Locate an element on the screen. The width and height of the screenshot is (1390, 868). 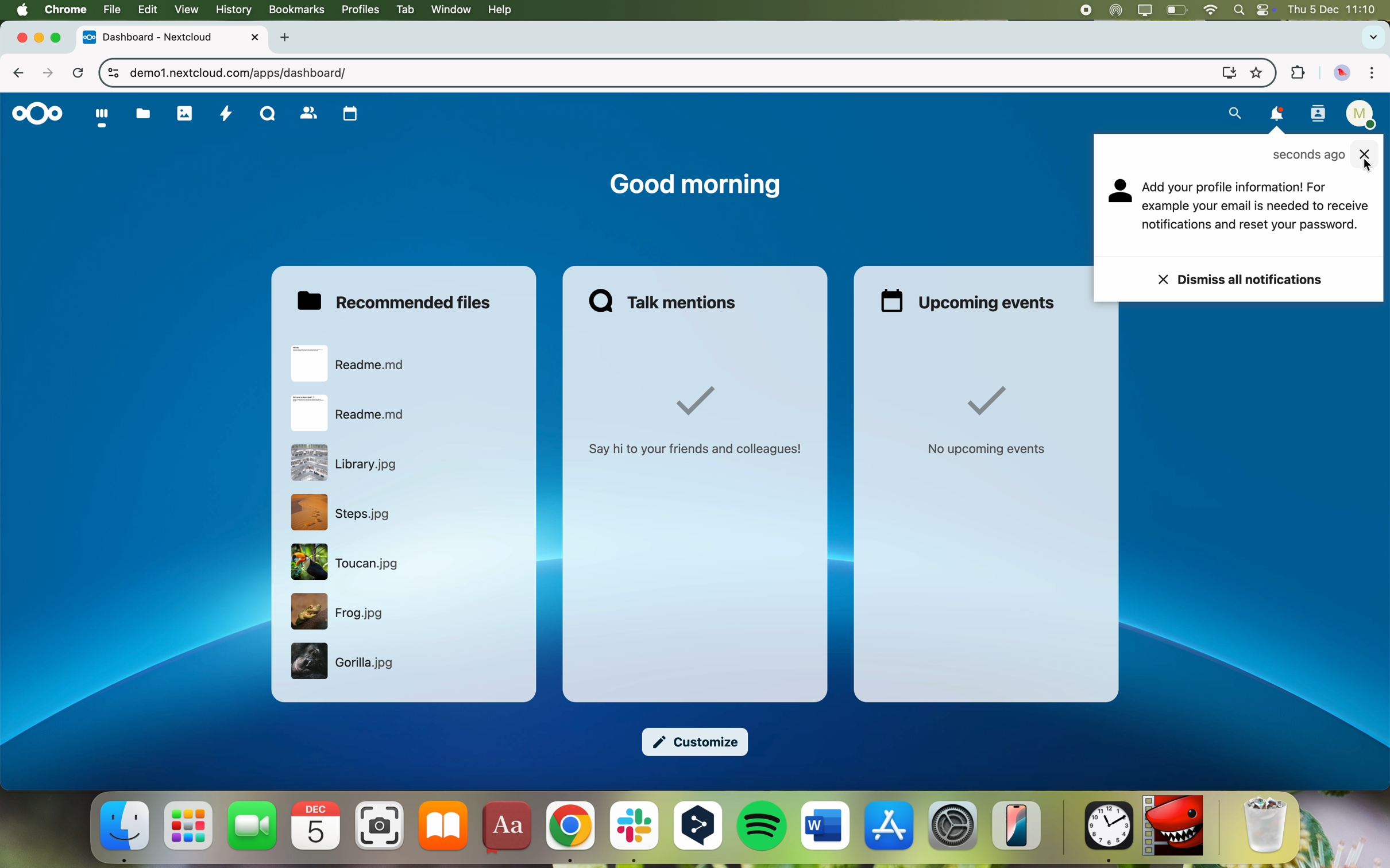
finder is located at coordinates (126, 831).